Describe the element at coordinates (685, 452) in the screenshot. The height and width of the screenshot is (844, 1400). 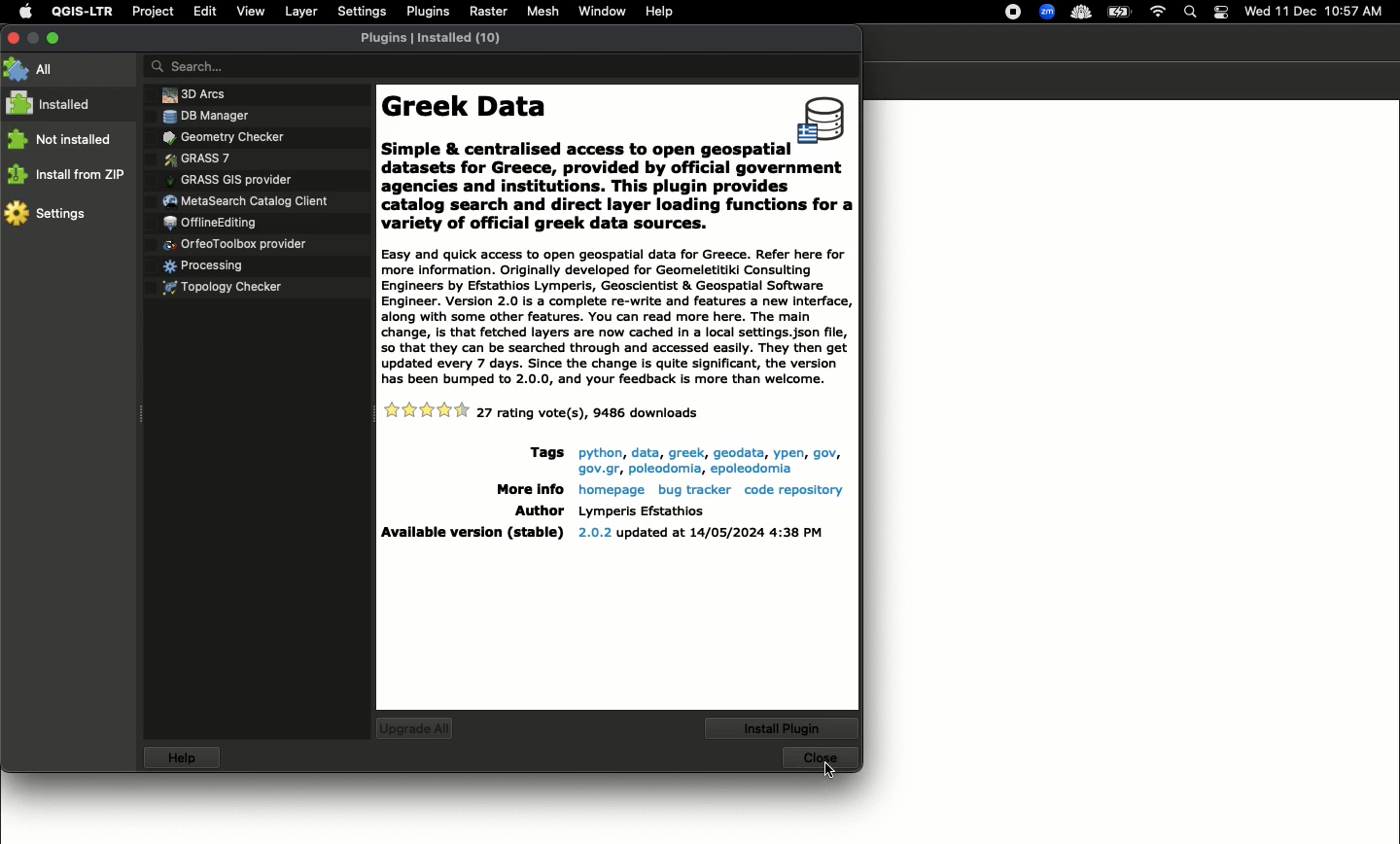
I see `reek` at that location.